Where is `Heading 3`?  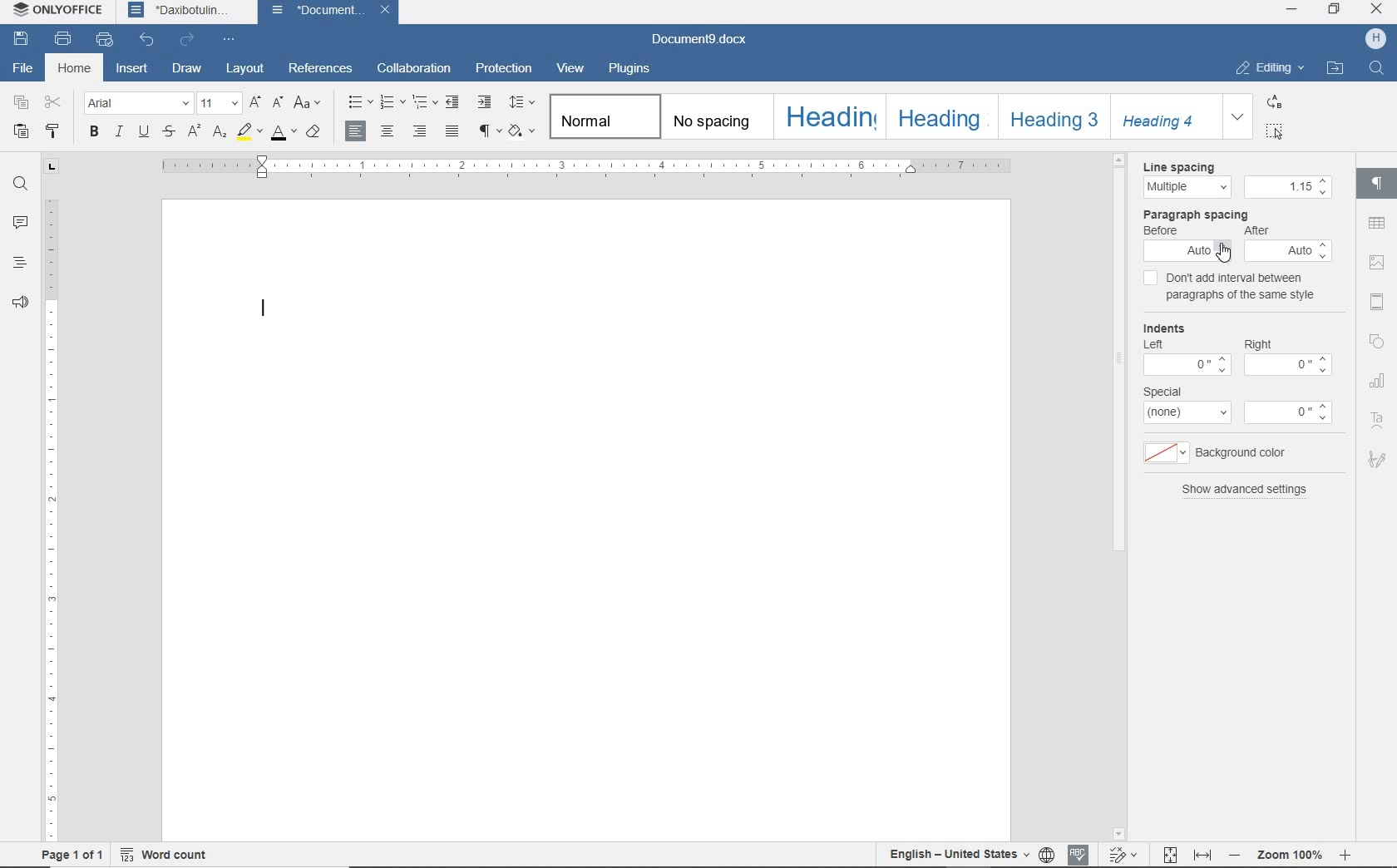
Heading 3 is located at coordinates (1054, 117).